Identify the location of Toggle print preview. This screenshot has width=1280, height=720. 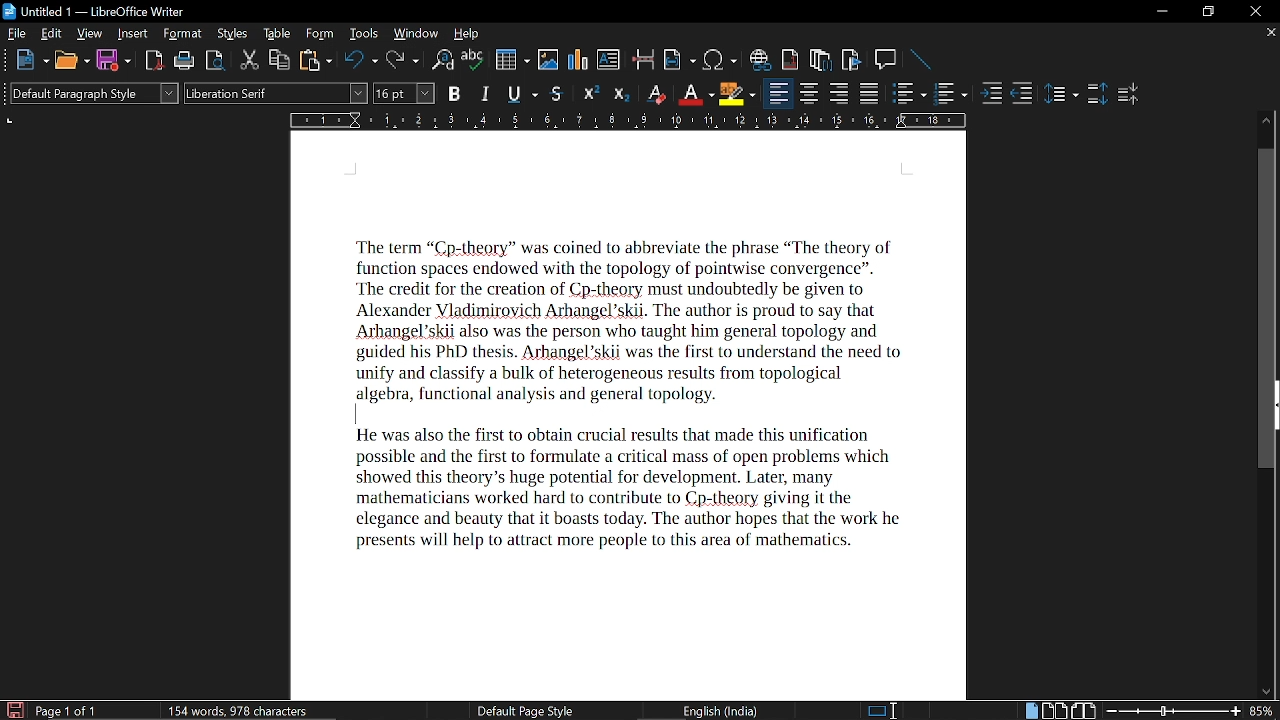
(214, 61).